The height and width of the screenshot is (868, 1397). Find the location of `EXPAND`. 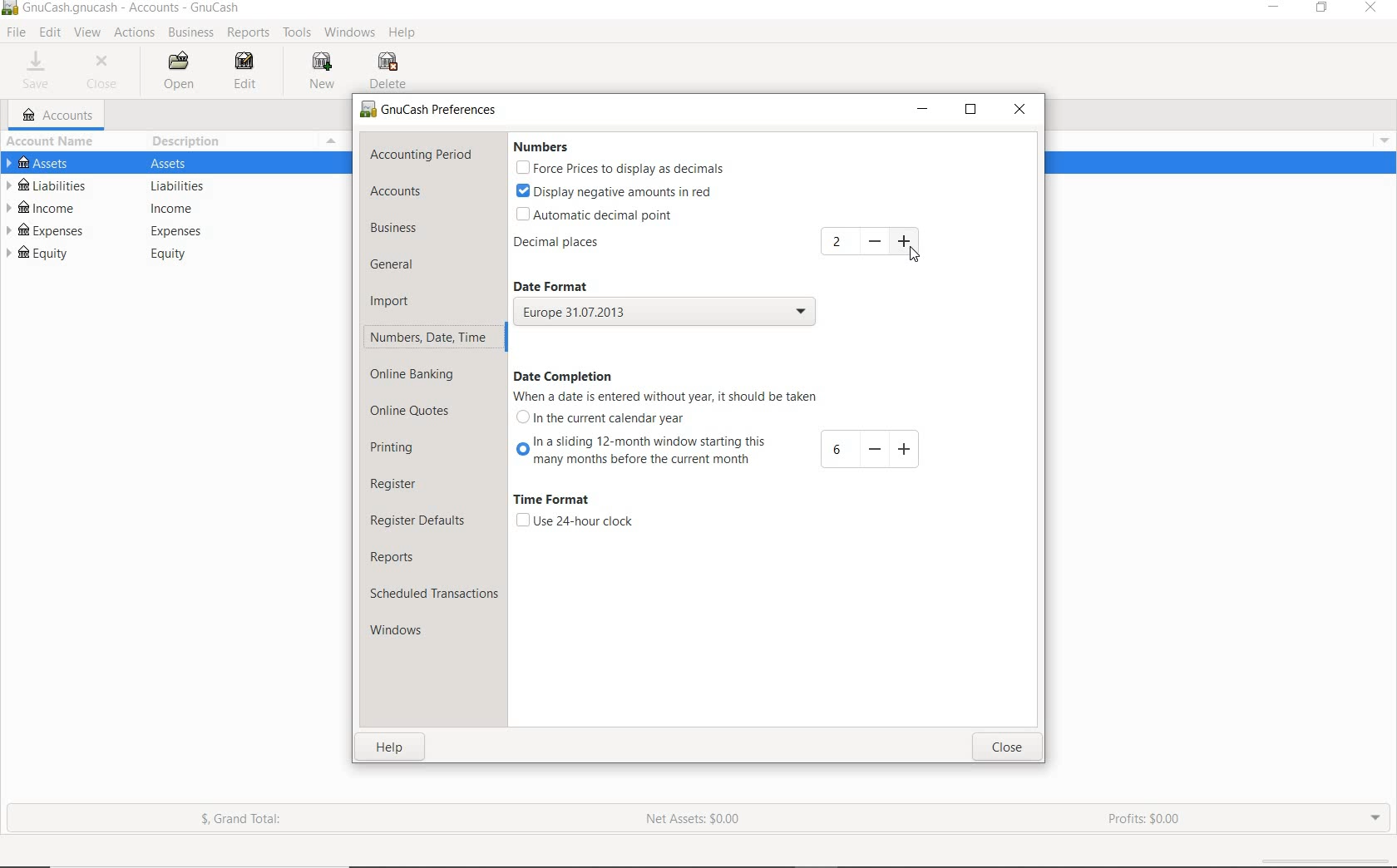

EXPAND is located at coordinates (1375, 817).